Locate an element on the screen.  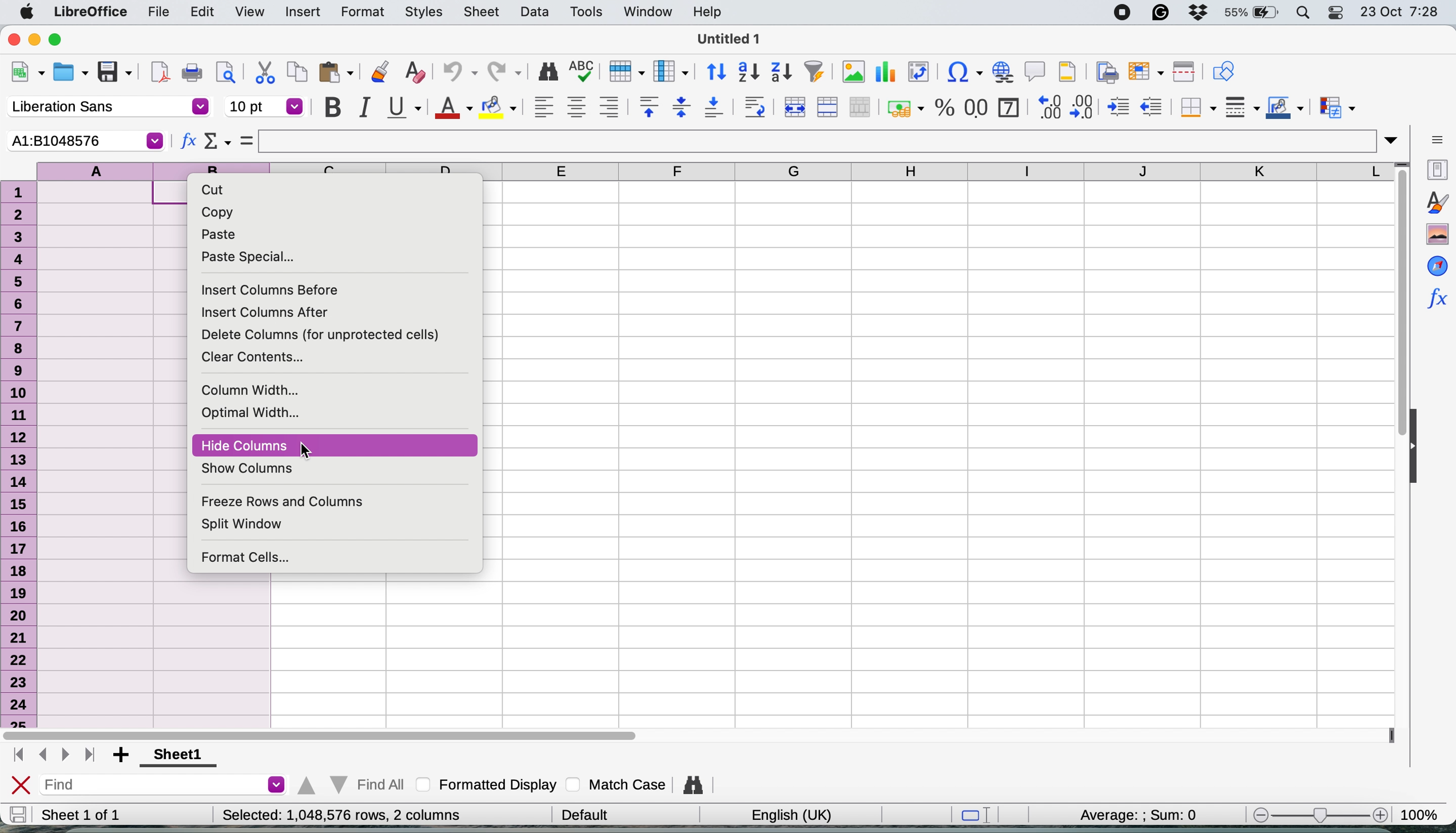
dropbox is located at coordinates (1196, 14).